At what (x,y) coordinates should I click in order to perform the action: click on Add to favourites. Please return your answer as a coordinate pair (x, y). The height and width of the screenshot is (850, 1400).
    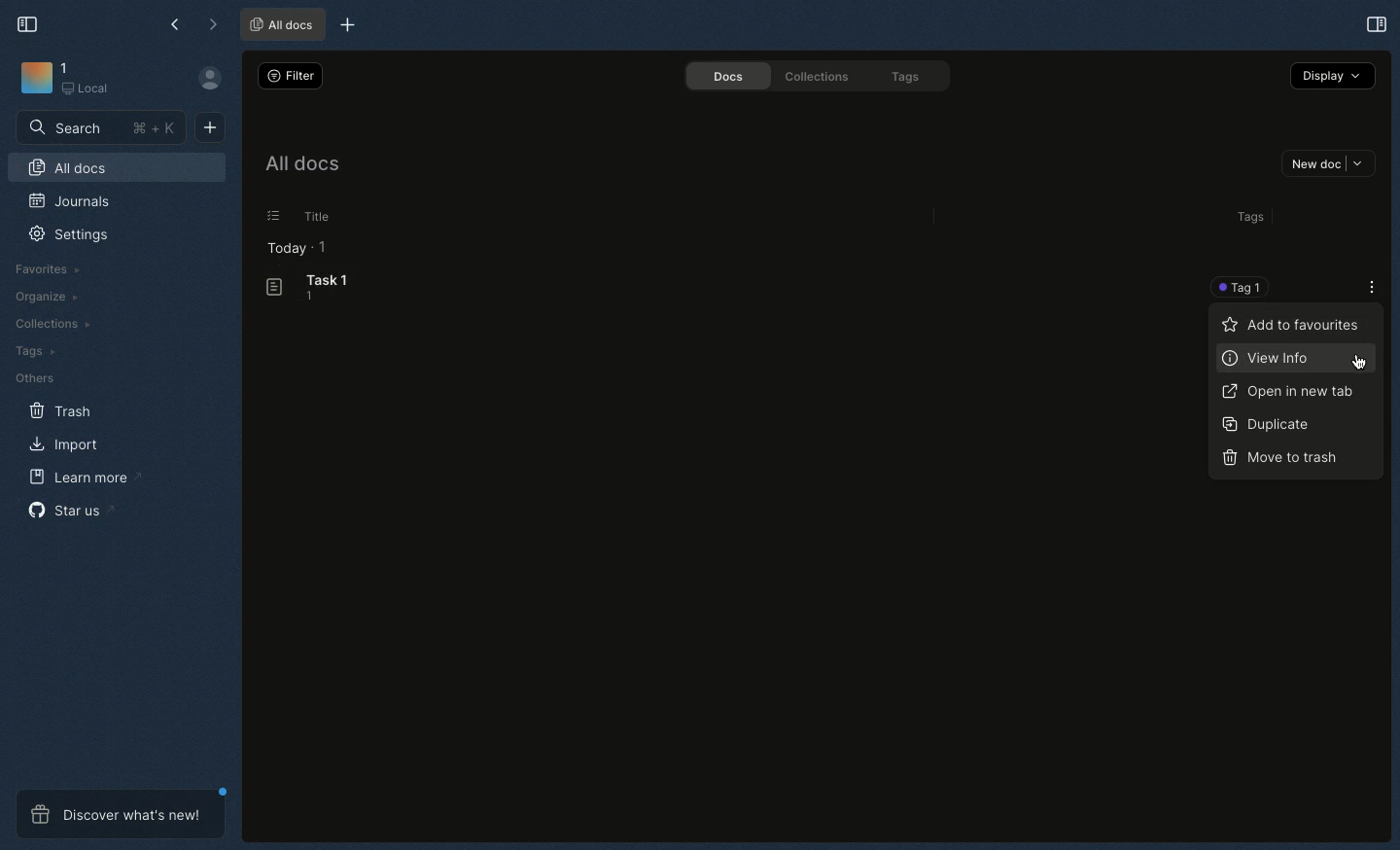
    Looking at the image, I should click on (1294, 328).